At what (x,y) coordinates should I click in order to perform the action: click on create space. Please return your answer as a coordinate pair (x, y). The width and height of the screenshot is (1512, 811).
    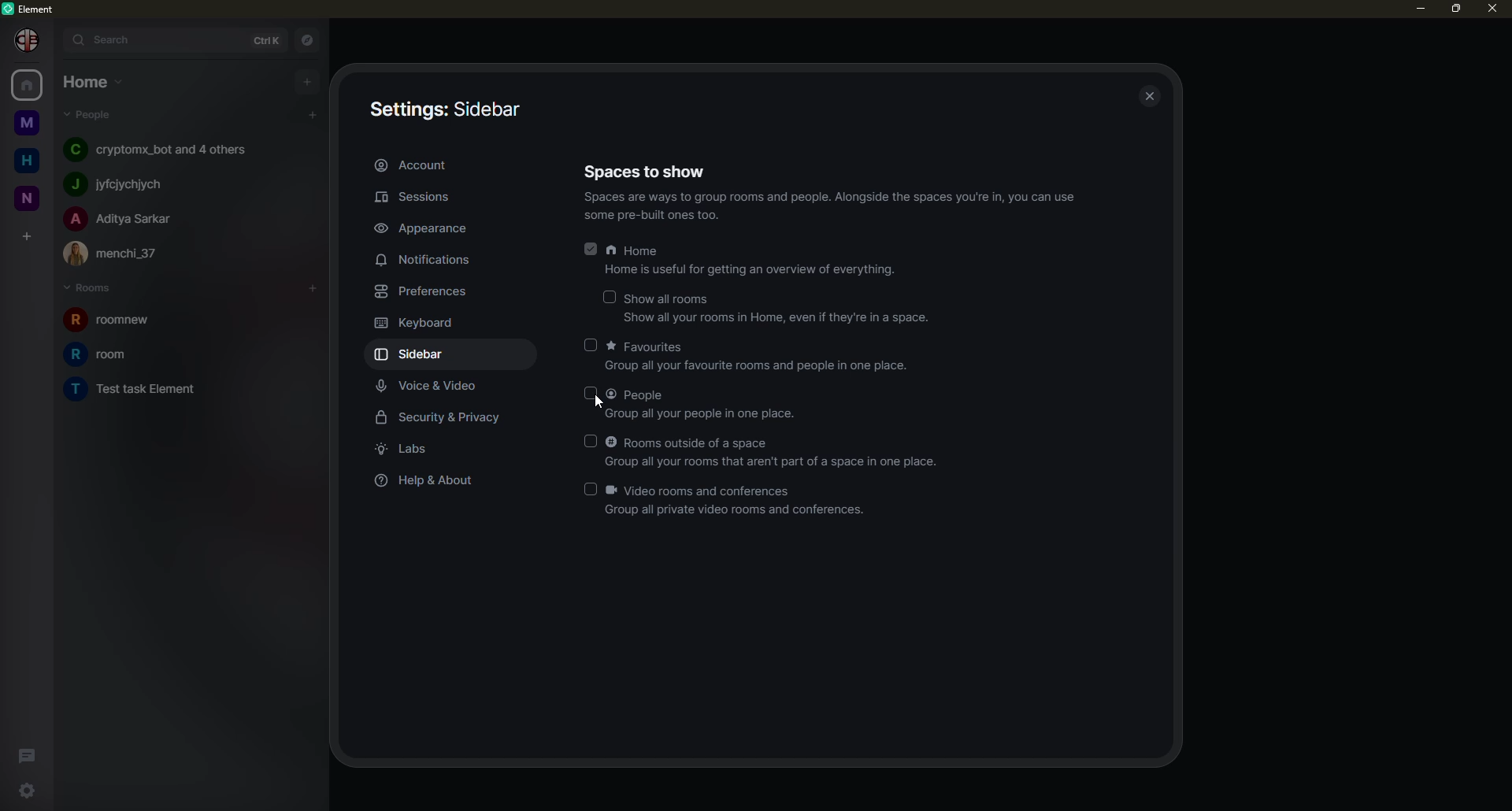
    Looking at the image, I should click on (25, 235).